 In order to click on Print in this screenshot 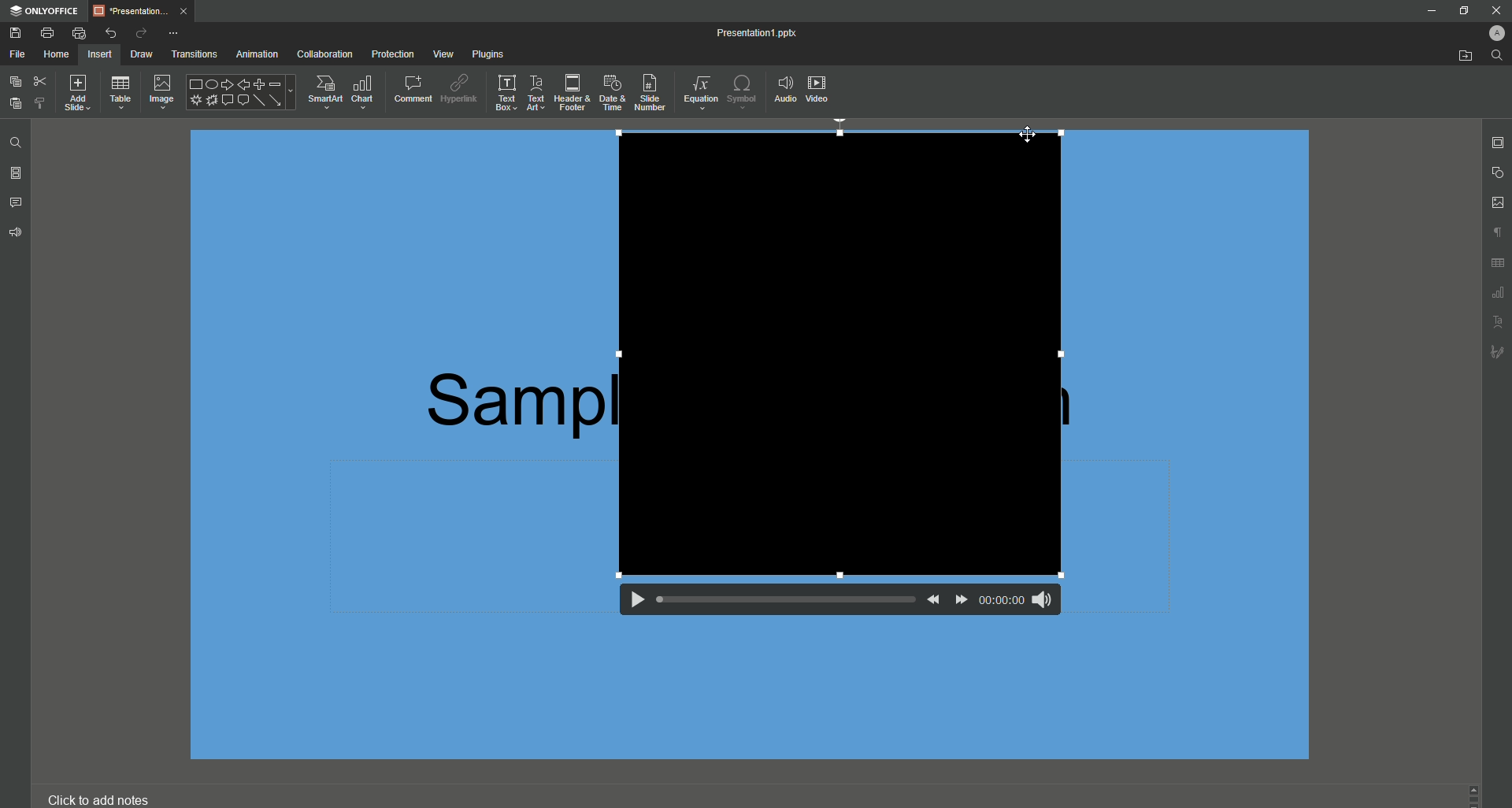, I will do `click(46, 32)`.